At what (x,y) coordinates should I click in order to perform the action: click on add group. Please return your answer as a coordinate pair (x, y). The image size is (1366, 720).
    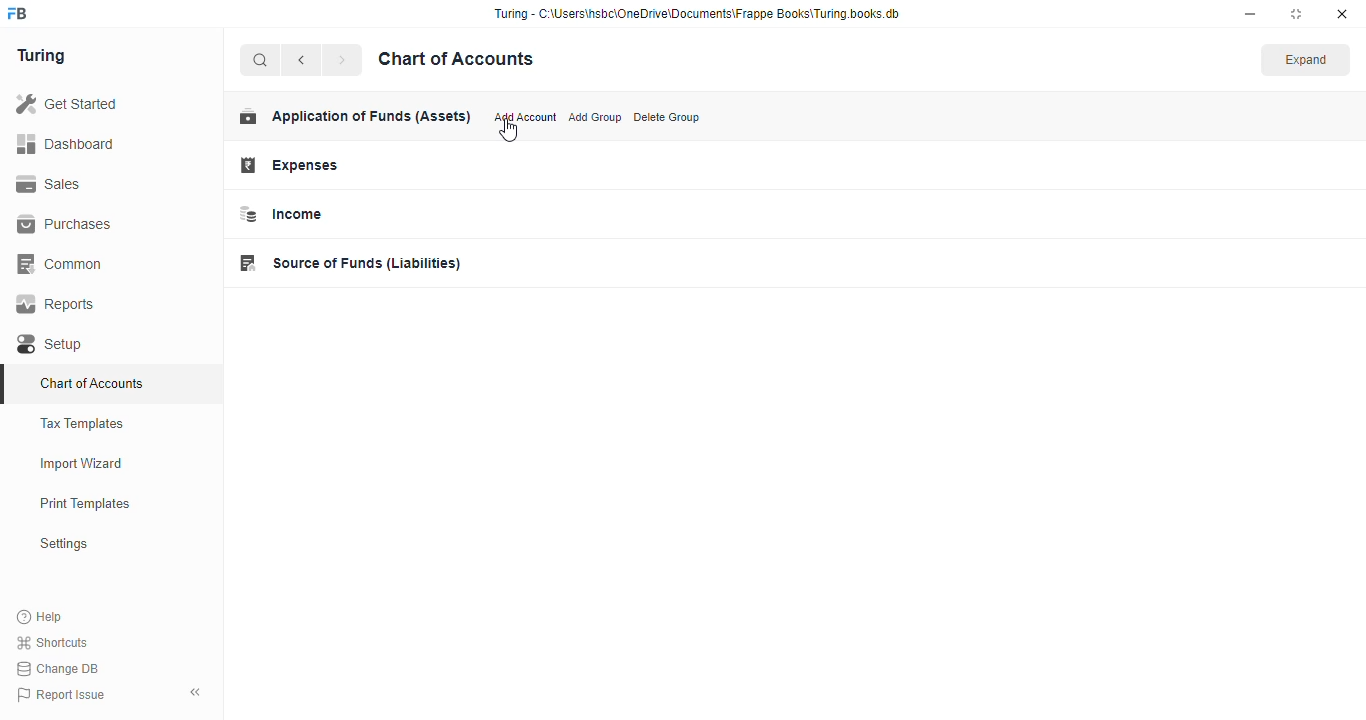
    Looking at the image, I should click on (595, 117).